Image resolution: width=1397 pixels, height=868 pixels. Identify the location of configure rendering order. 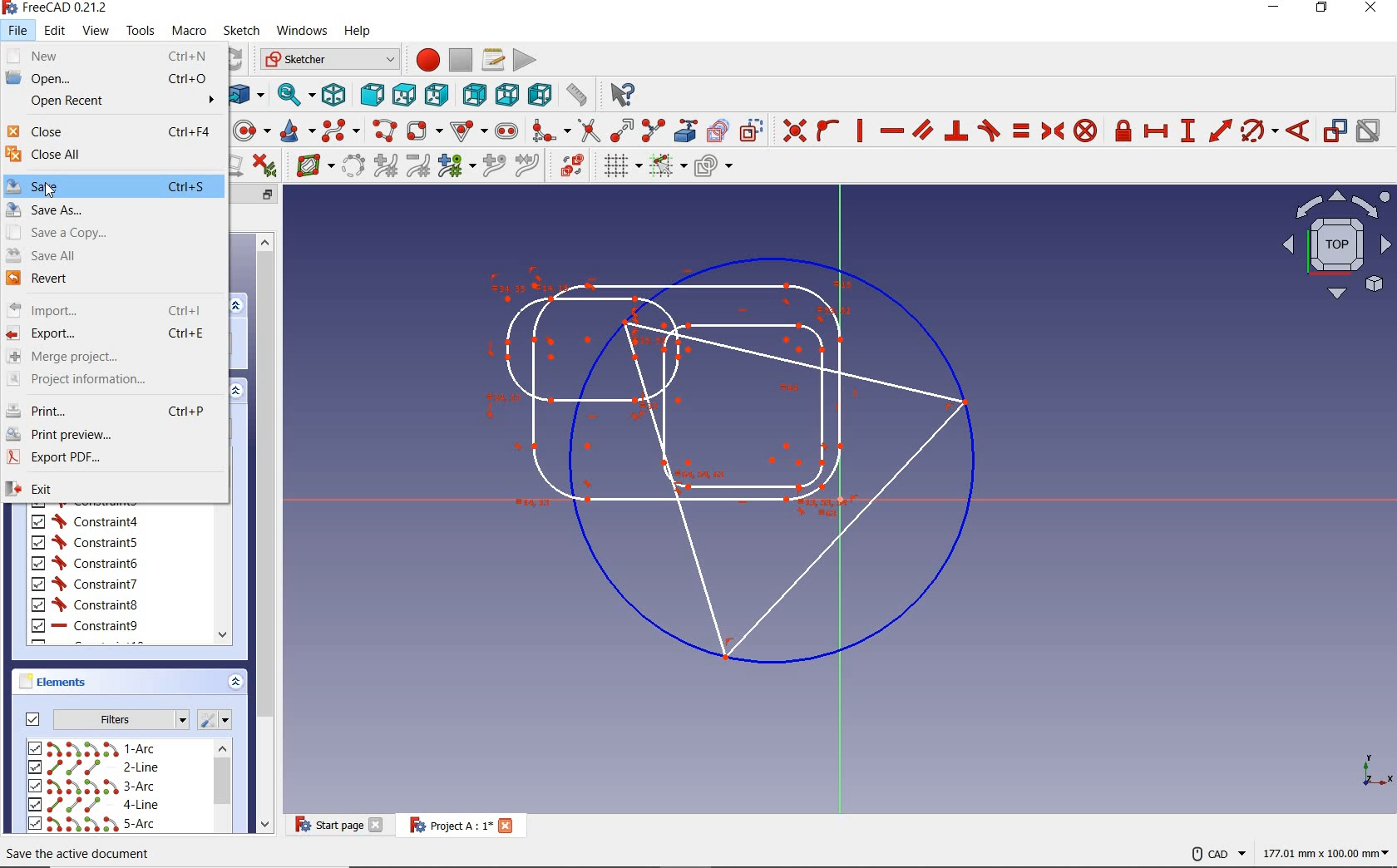
(715, 168).